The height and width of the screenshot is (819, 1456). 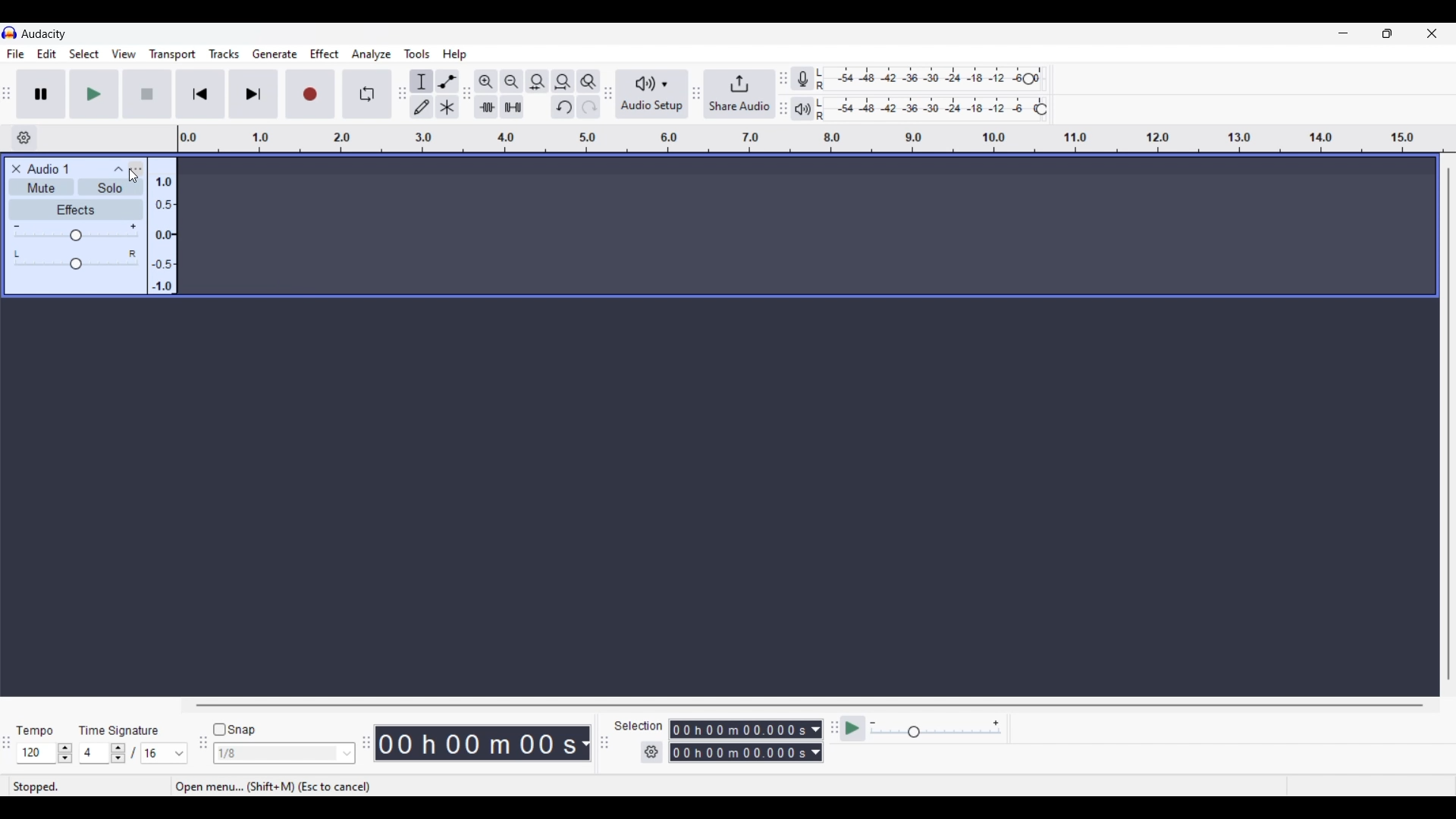 What do you see at coordinates (96, 754) in the screenshot?
I see `Selected time signature` at bounding box center [96, 754].